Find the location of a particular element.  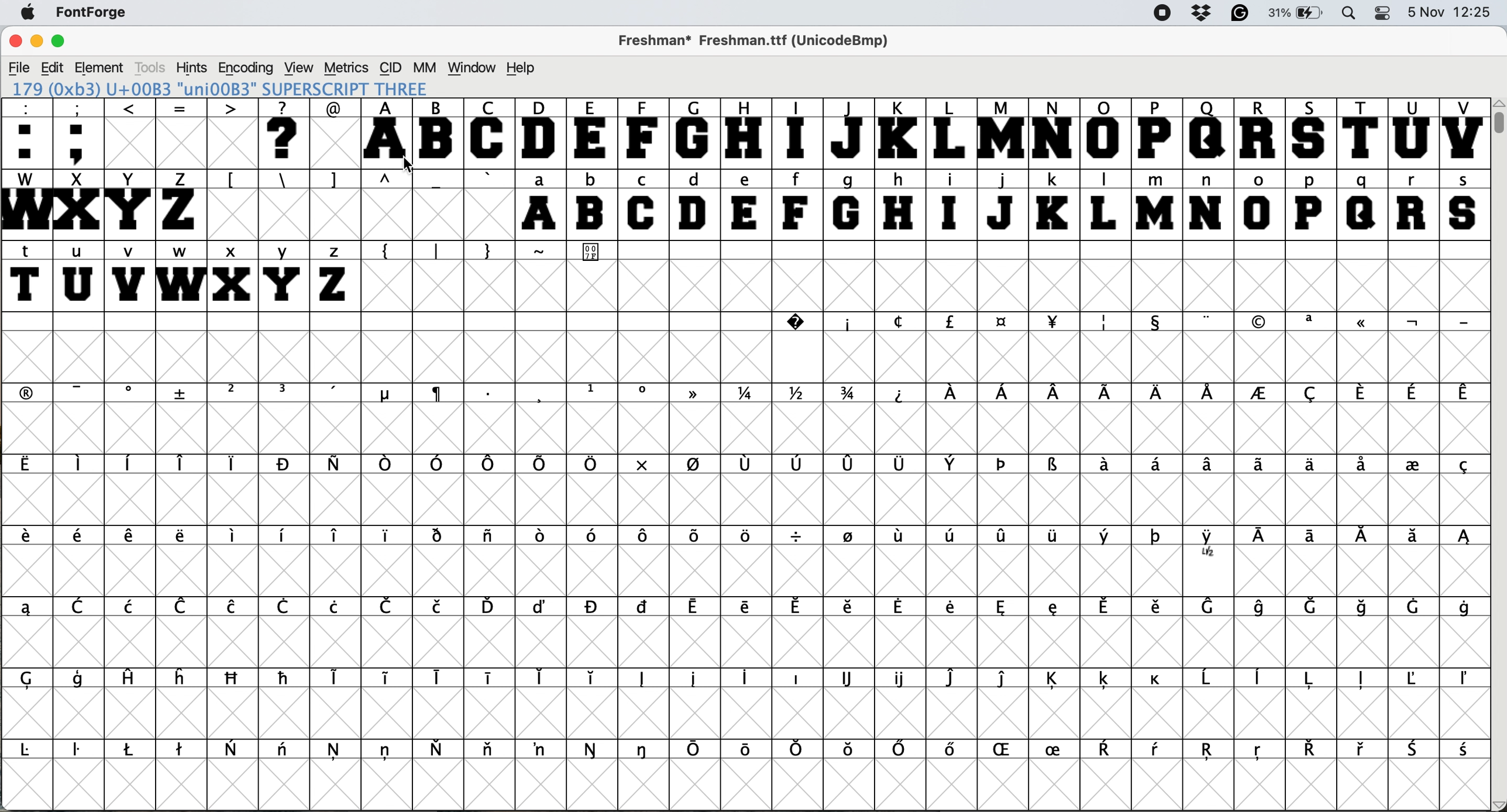

symbol is located at coordinates (1412, 393).